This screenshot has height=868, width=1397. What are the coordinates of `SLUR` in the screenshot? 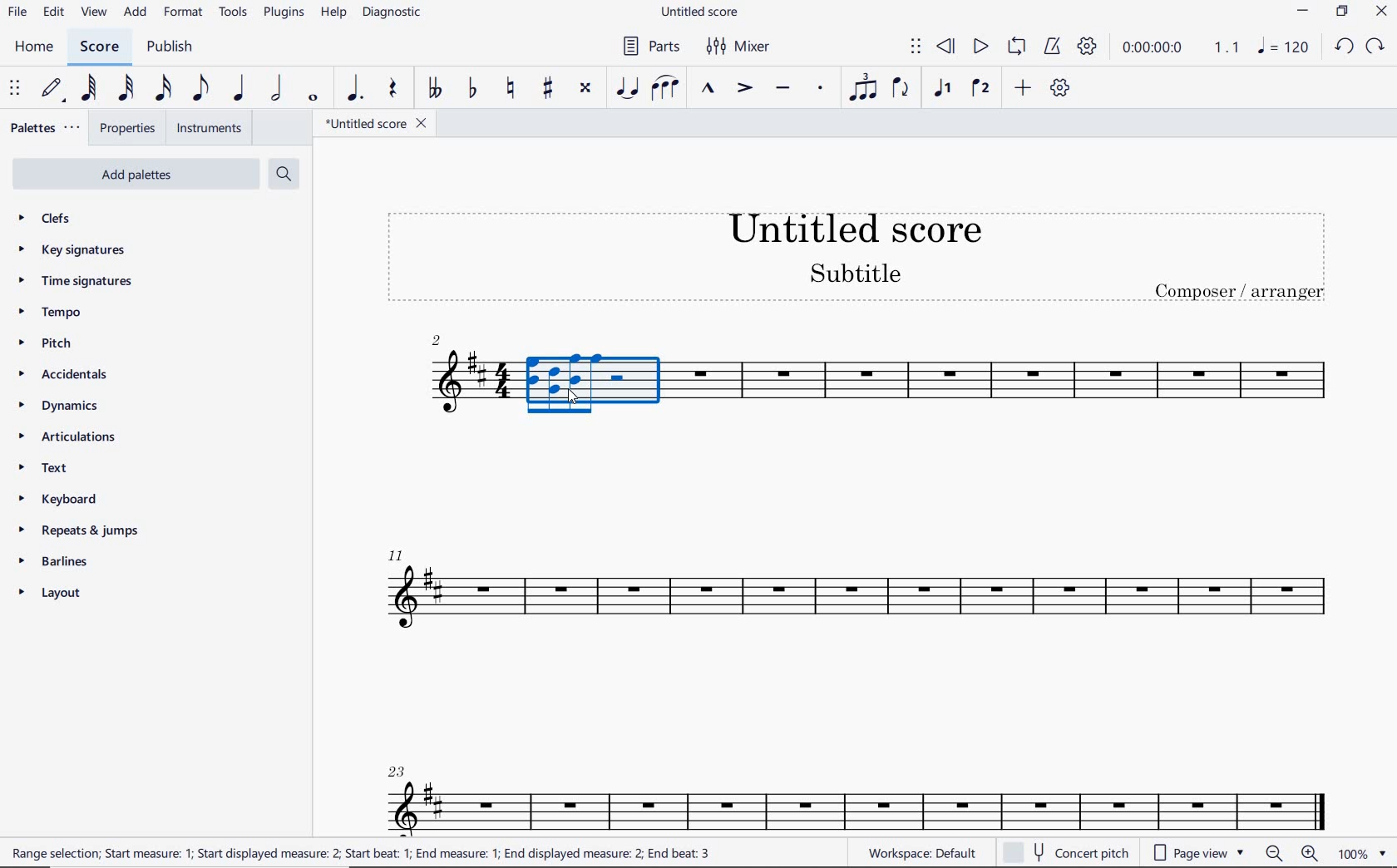 It's located at (665, 90).